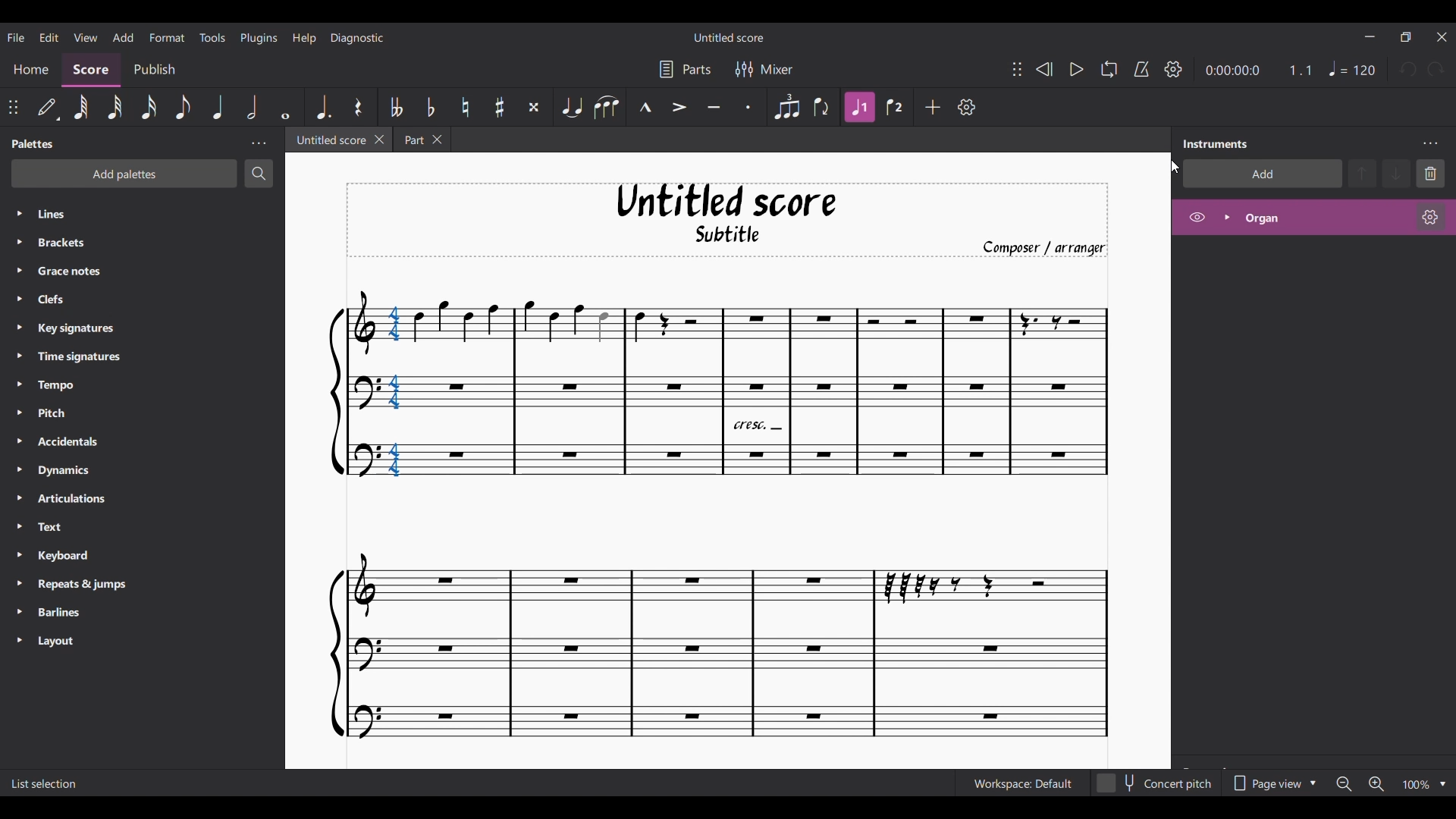 This screenshot has width=1456, height=819. Describe the element at coordinates (535, 107) in the screenshot. I see `Toggle double sharp` at that location.